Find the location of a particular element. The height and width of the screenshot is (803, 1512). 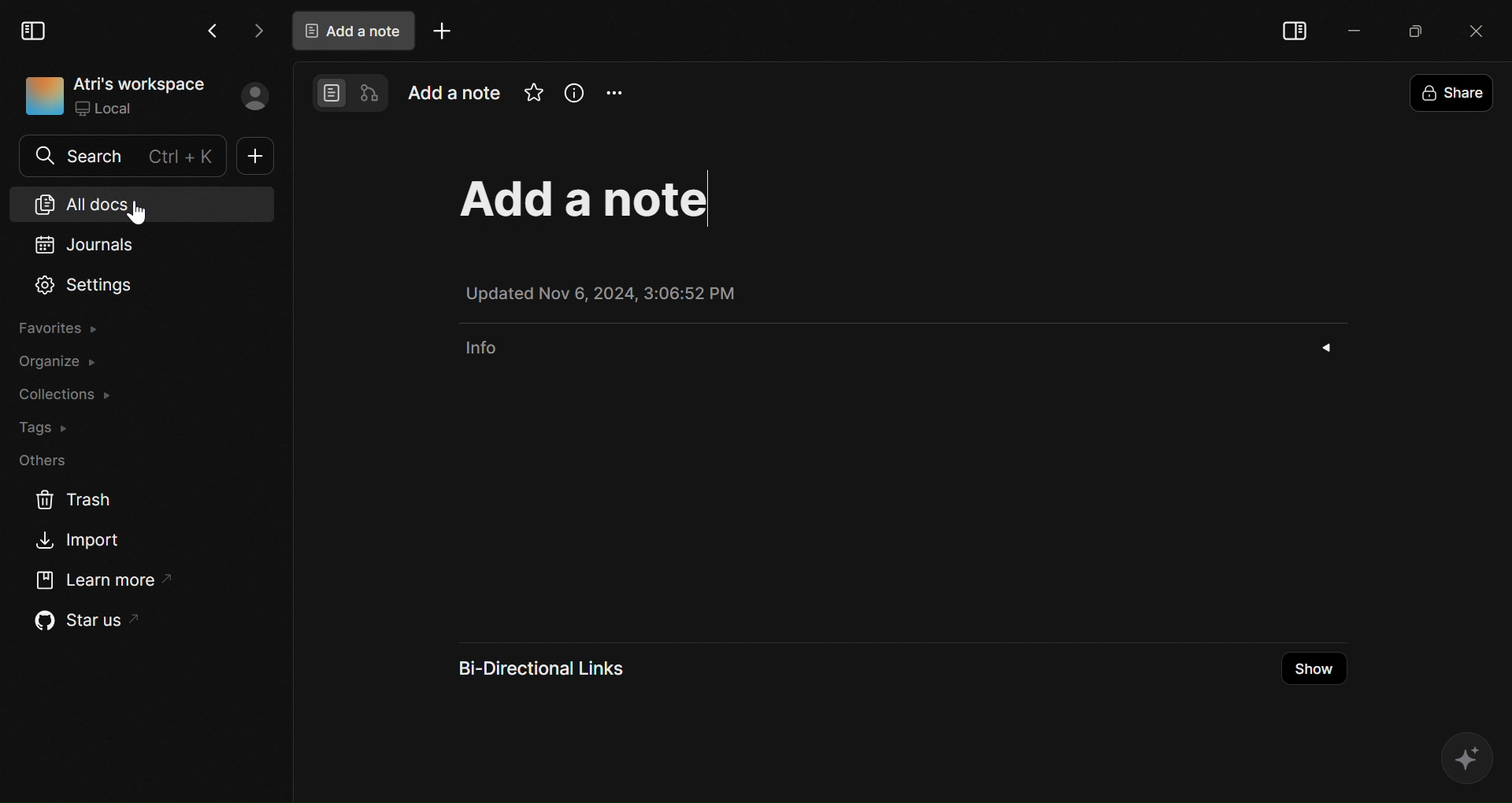

Search  is located at coordinates (123, 156).